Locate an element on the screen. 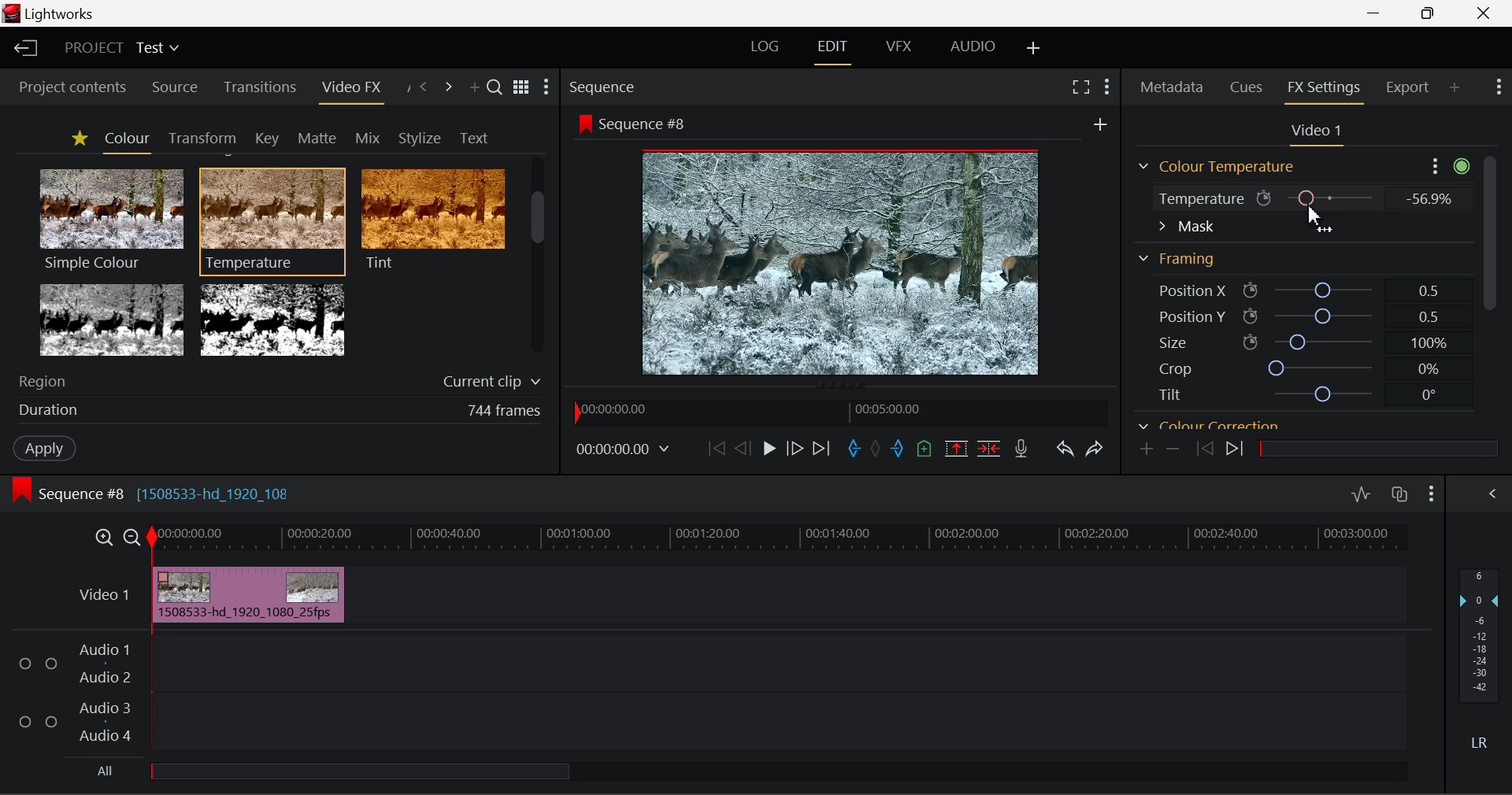  Current clip  is located at coordinates (487, 383).